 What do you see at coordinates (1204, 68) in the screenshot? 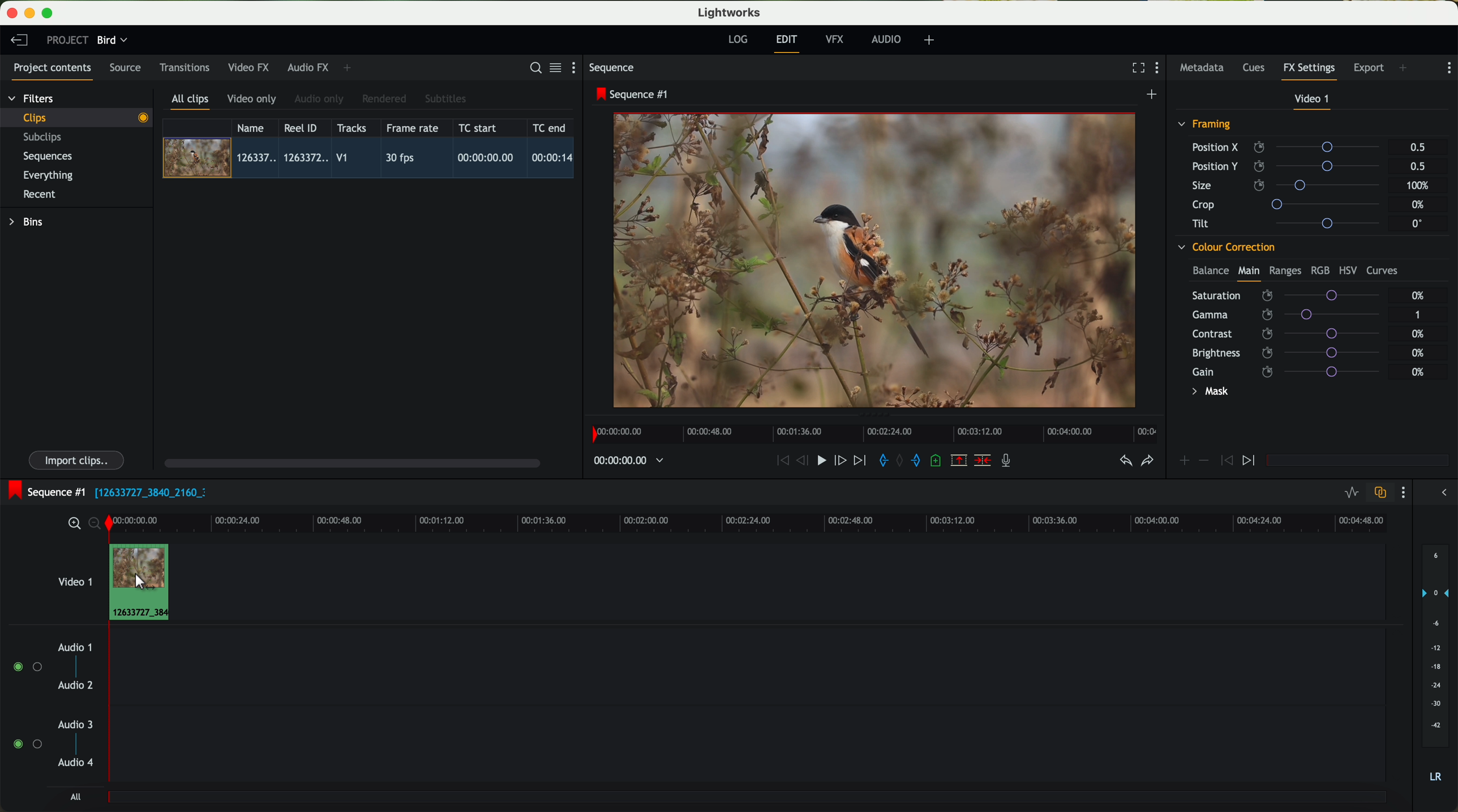
I see `metadata` at bounding box center [1204, 68].